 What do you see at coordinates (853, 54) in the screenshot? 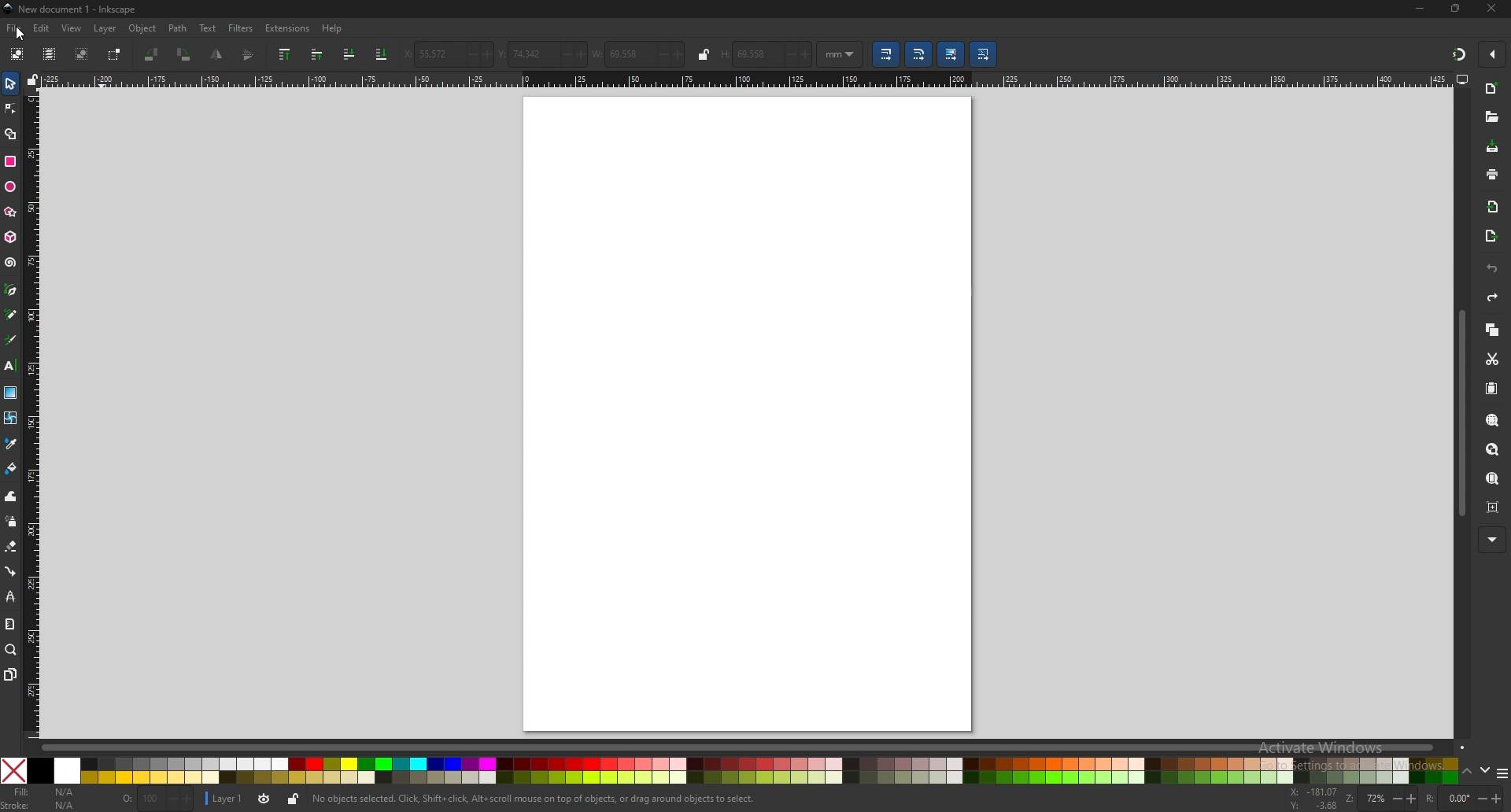
I see `Drop down` at bounding box center [853, 54].